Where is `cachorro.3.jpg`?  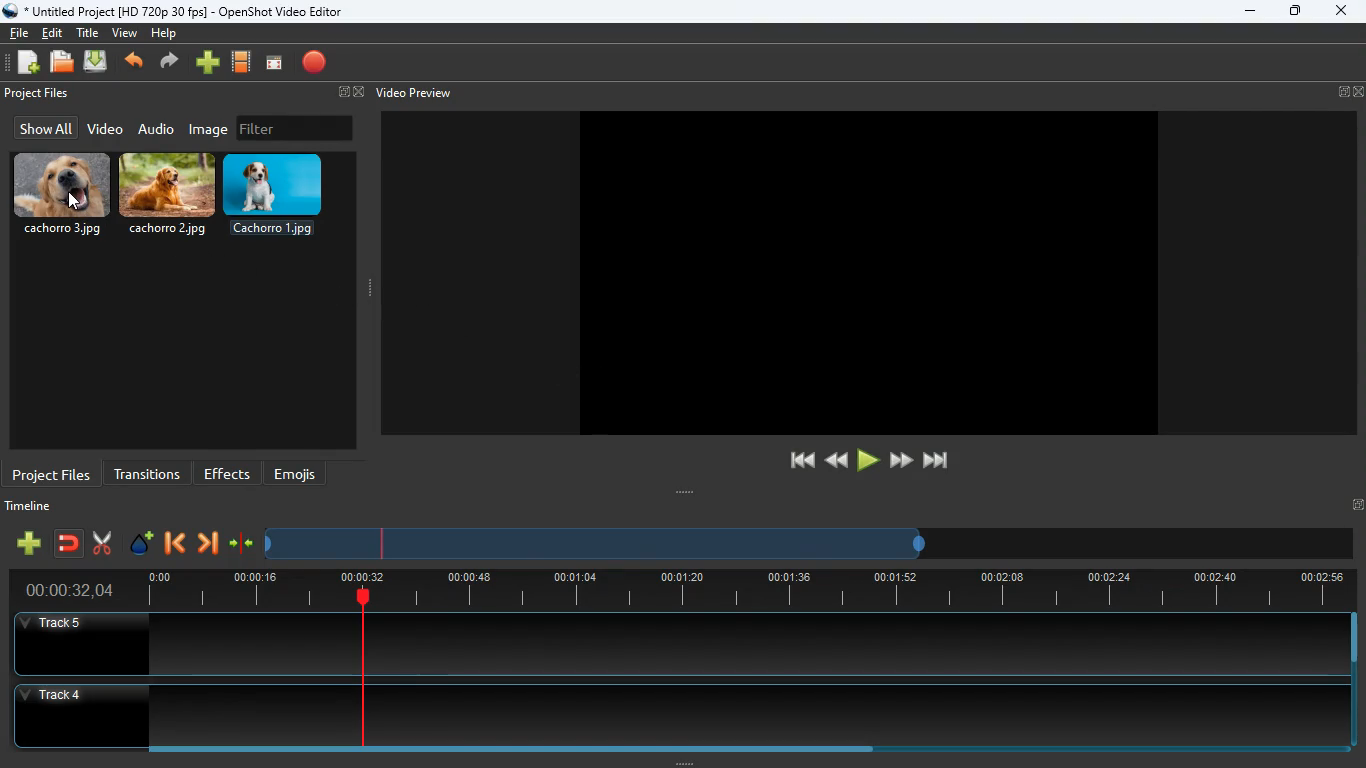 cachorro.3.jpg is located at coordinates (60, 196).